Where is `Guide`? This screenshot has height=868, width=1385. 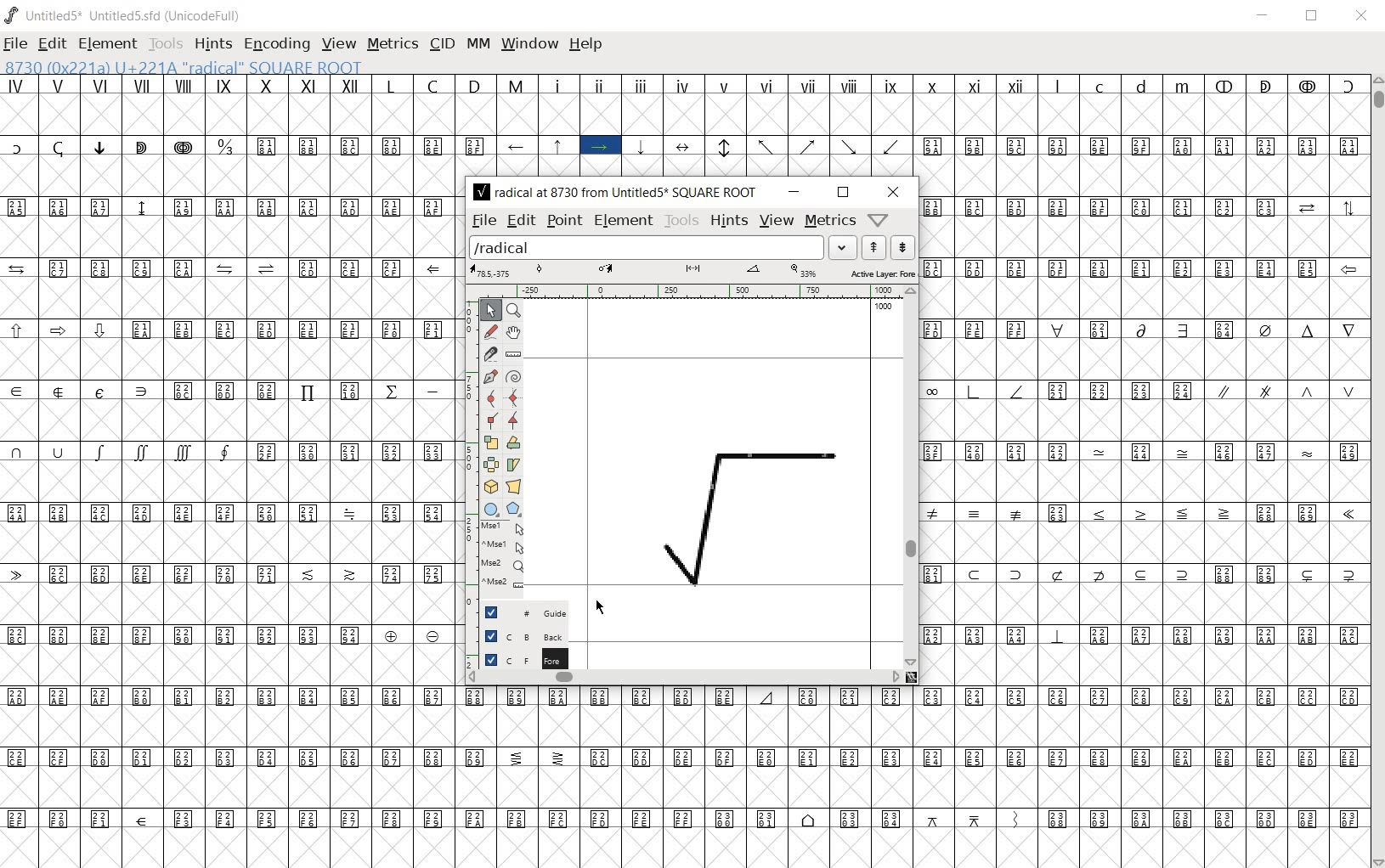
Guide is located at coordinates (517, 612).